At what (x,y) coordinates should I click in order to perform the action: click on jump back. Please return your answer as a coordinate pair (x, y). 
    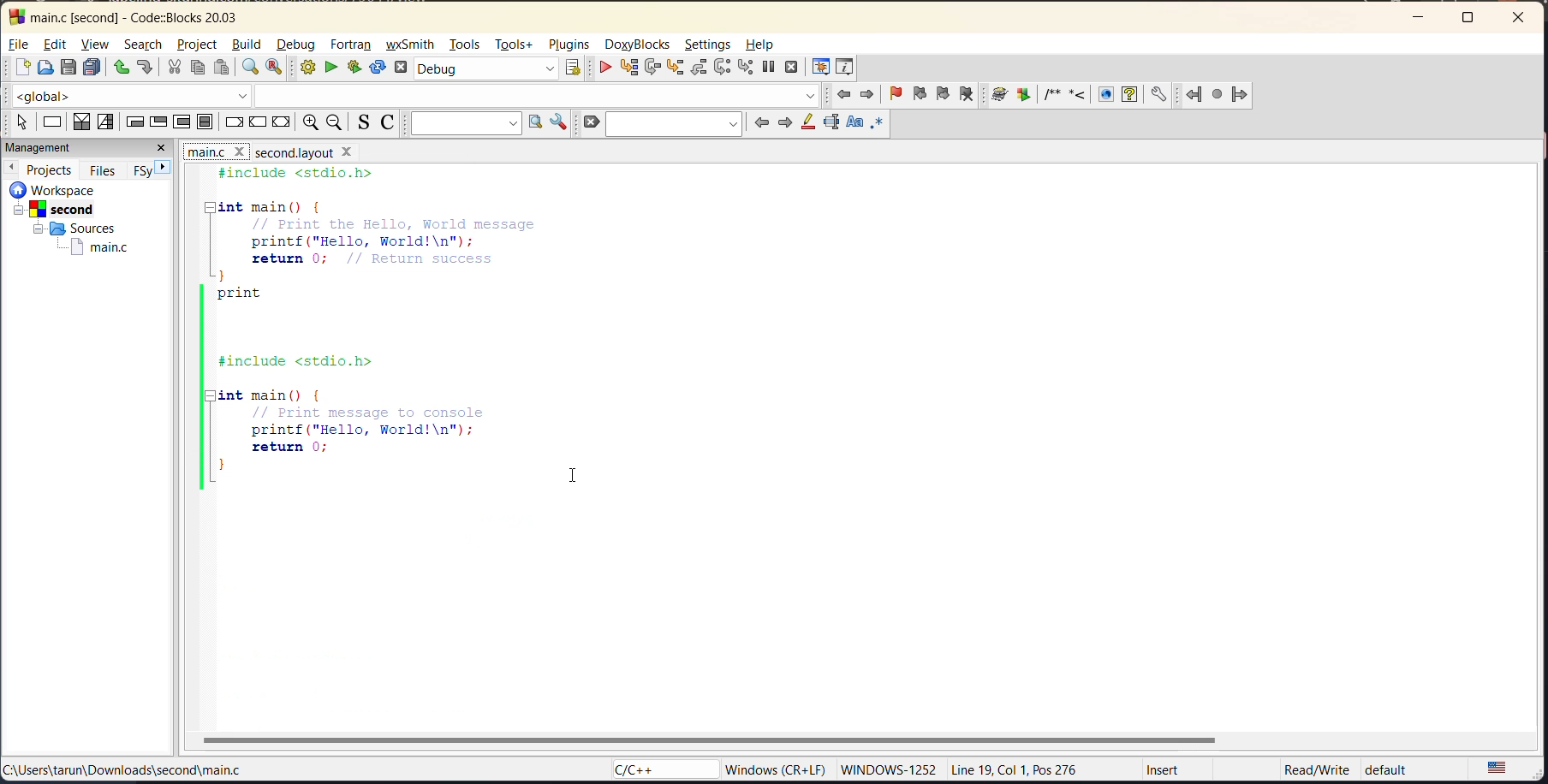
    Looking at the image, I should click on (846, 95).